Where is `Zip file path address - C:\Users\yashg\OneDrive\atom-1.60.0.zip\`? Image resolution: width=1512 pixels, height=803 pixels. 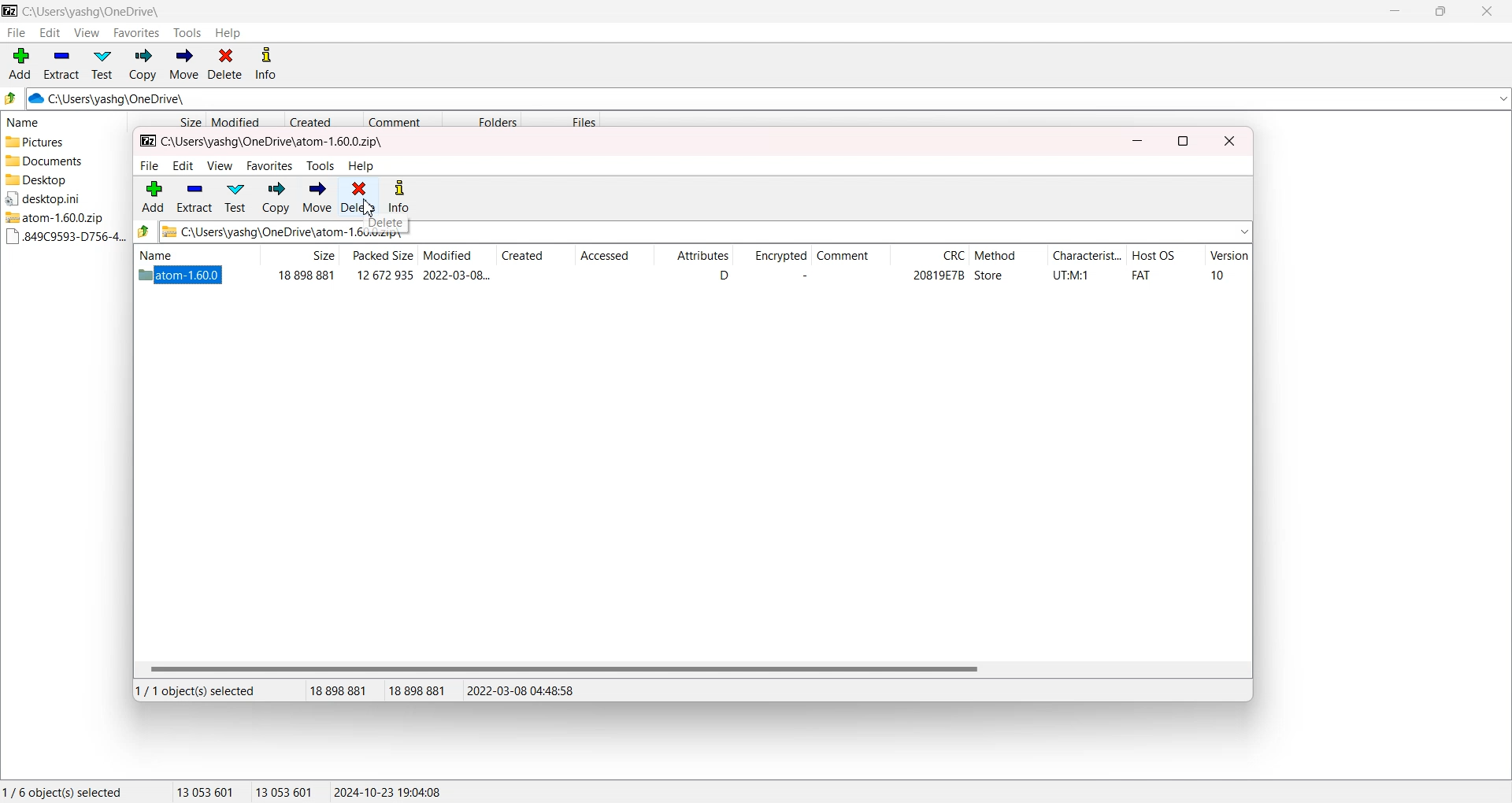 Zip file path address - C:\Users\yashg\OneDrive\atom-1.60.0.zip\ is located at coordinates (256, 231).